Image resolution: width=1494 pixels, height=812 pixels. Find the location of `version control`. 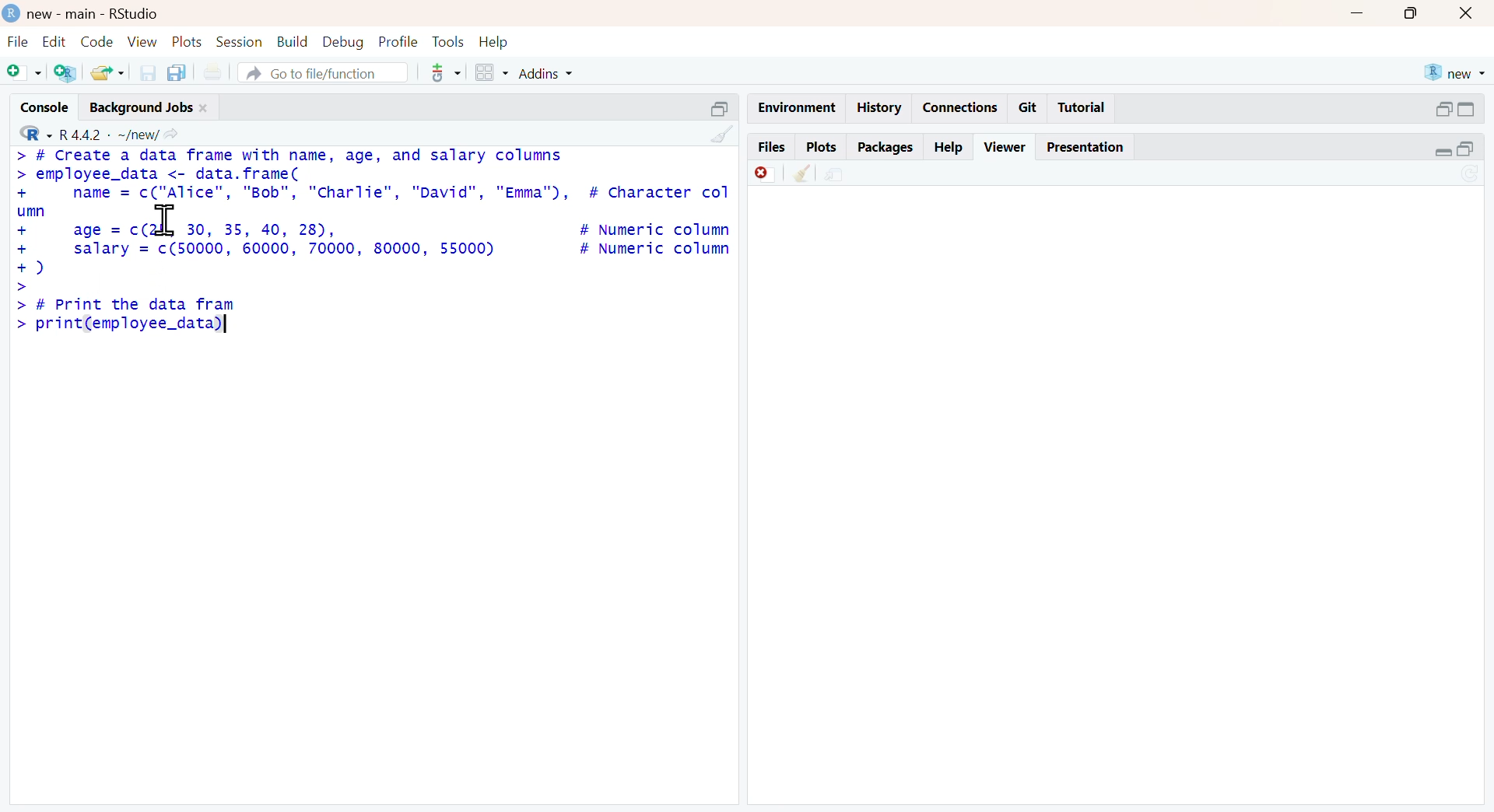

version control is located at coordinates (437, 73).